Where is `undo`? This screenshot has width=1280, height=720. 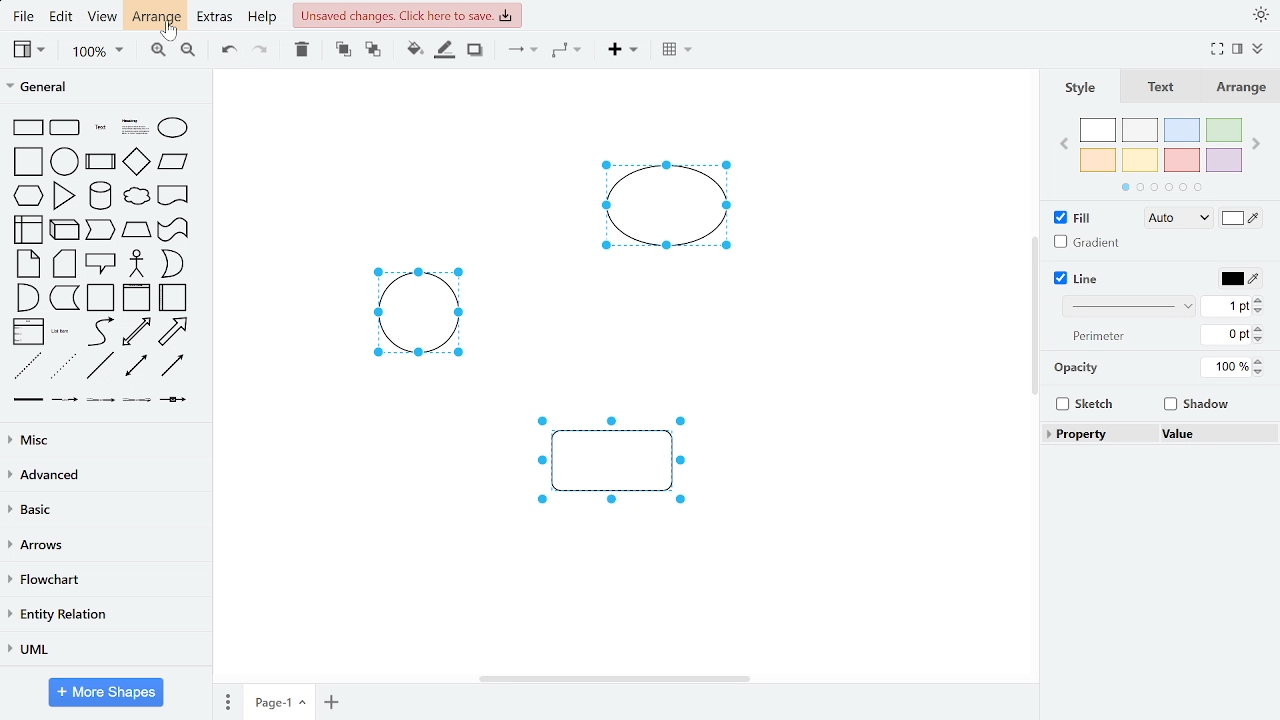 undo is located at coordinates (230, 51).